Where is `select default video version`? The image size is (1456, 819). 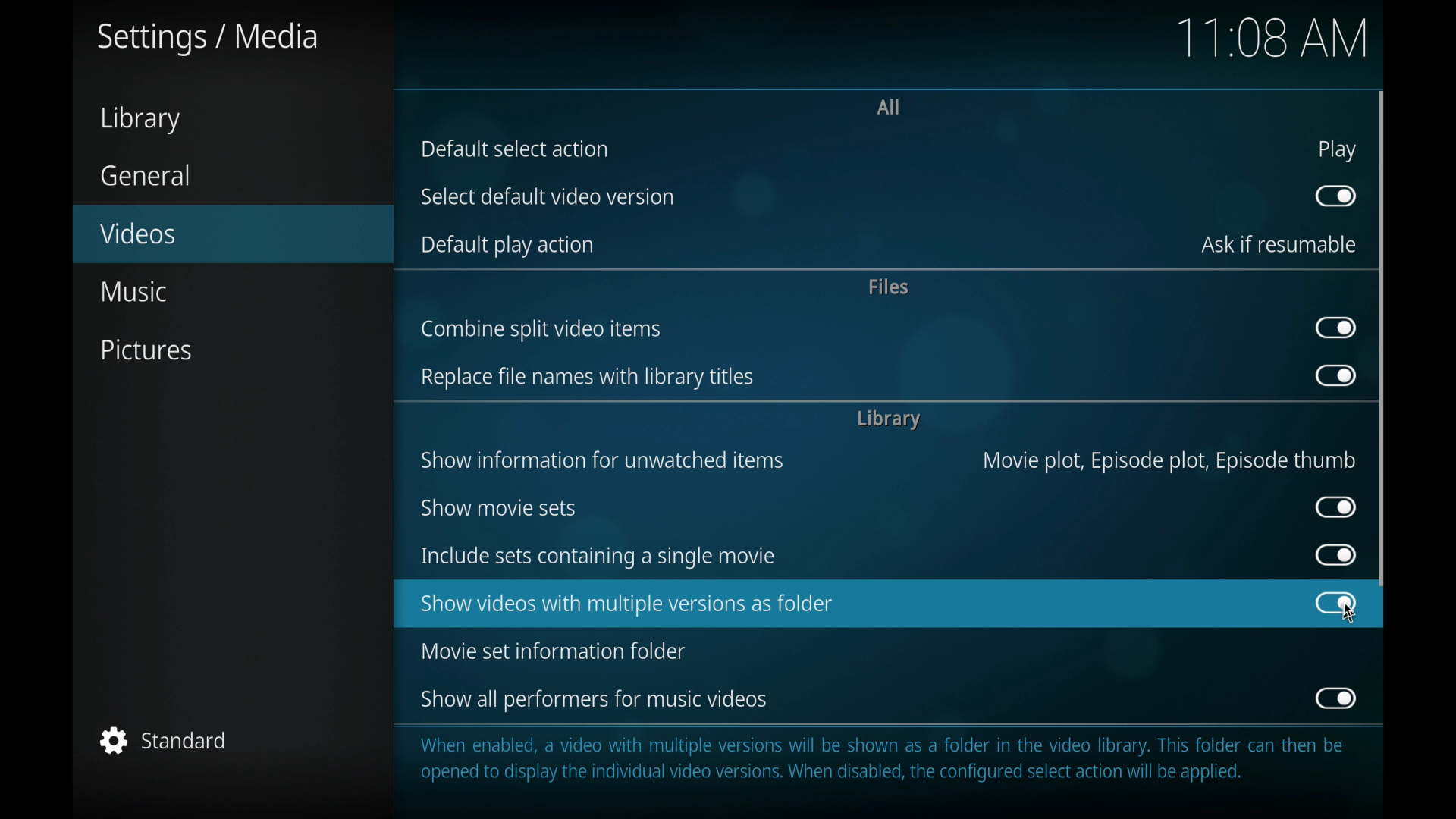
select default video version is located at coordinates (546, 196).